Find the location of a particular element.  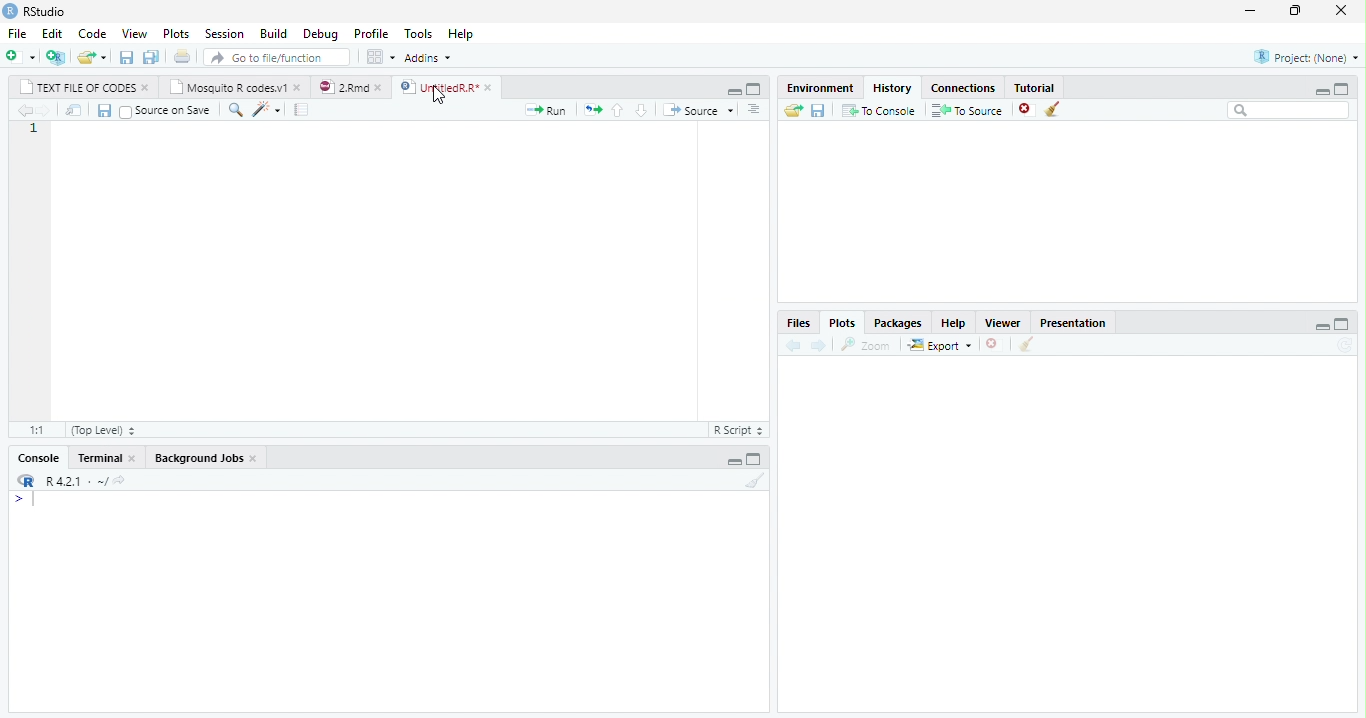

new file is located at coordinates (19, 56).